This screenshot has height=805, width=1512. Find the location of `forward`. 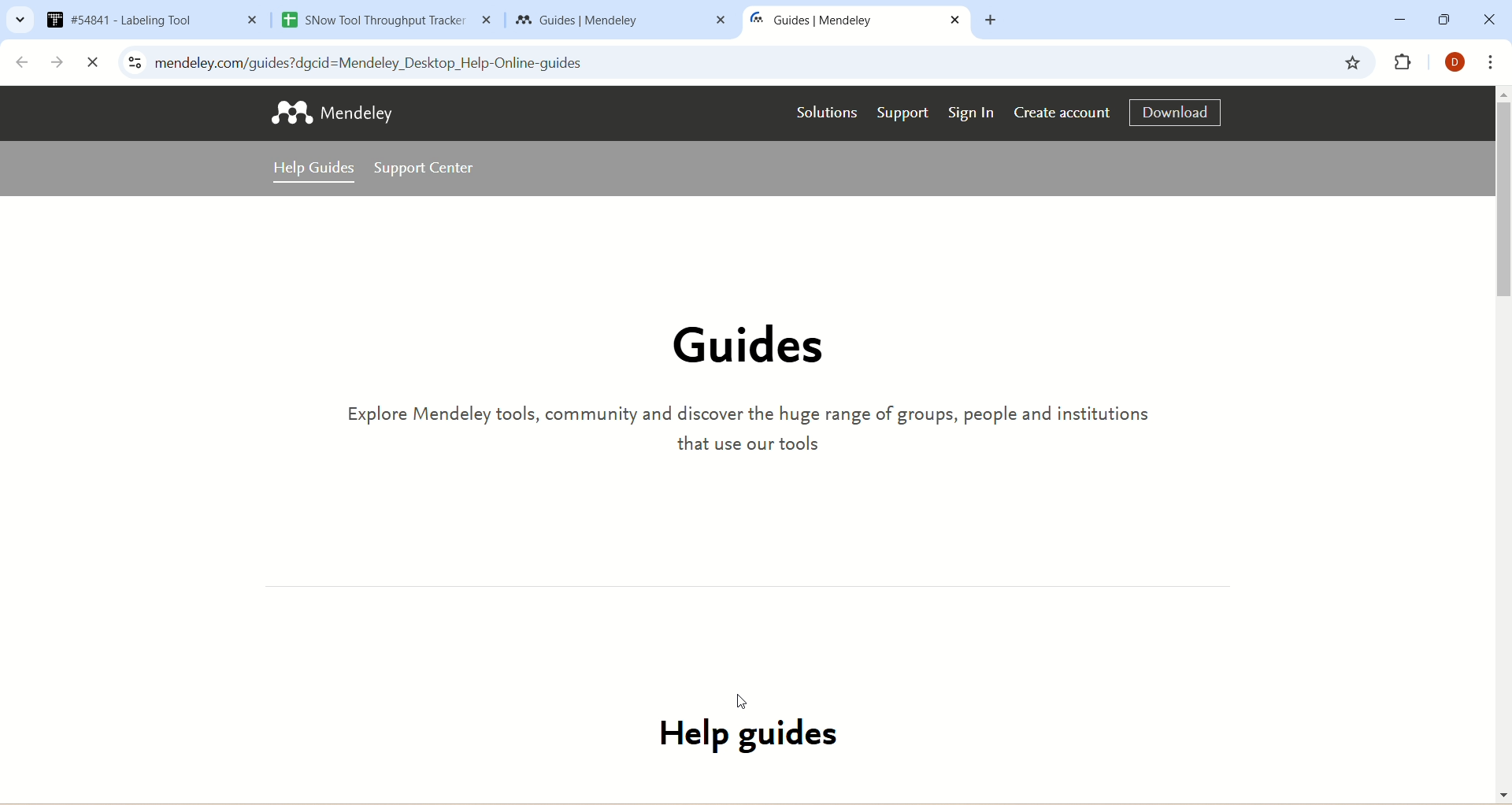

forward is located at coordinates (56, 62).